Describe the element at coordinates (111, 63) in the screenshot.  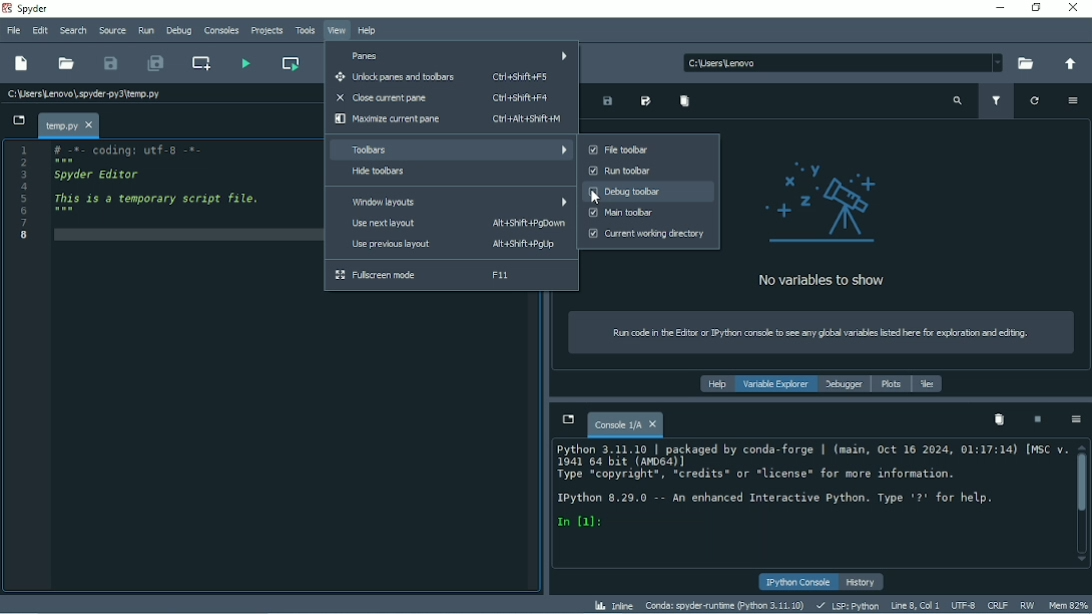
I see `Save file    ` at that location.